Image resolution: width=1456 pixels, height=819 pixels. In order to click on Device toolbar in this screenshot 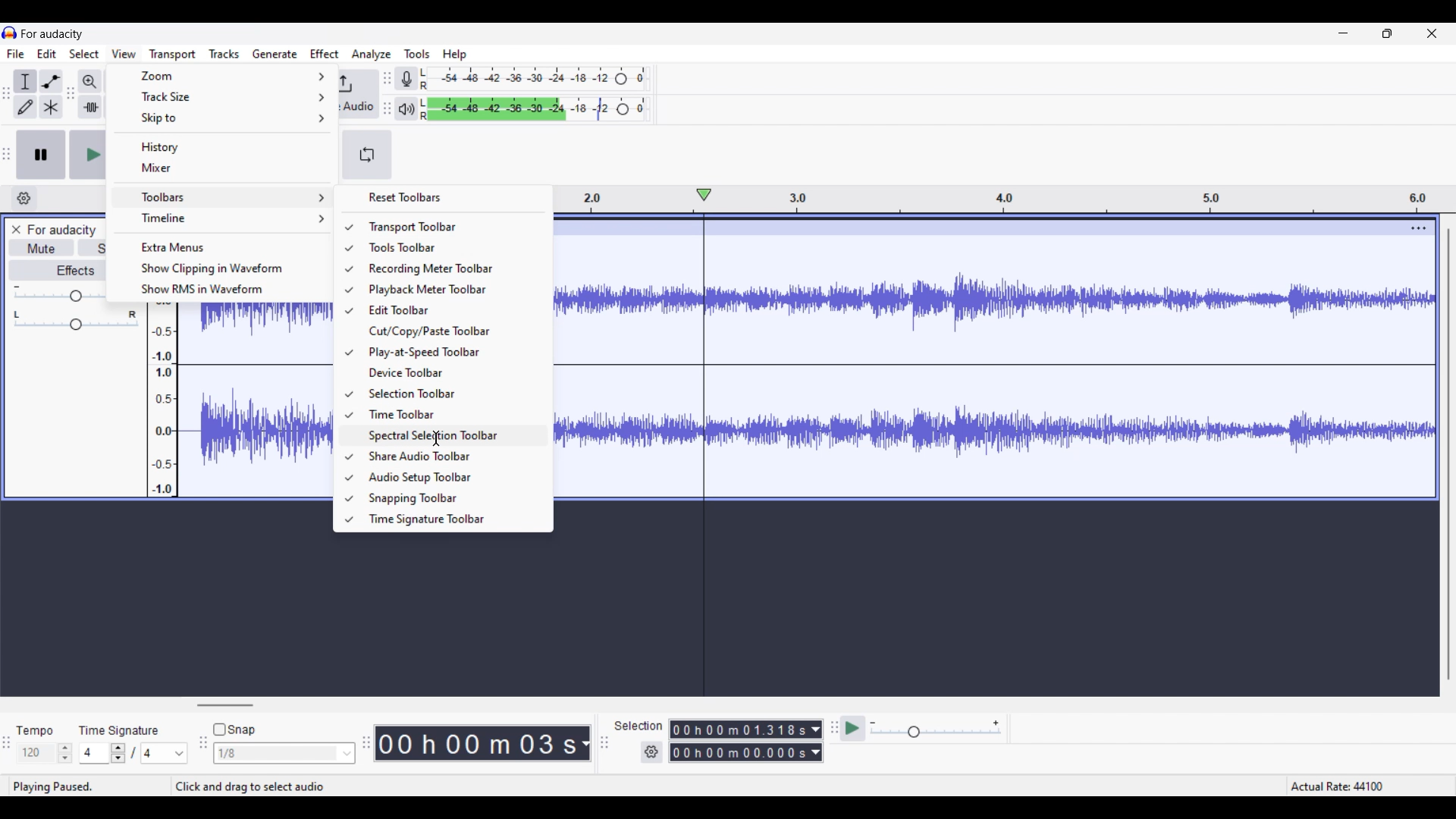, I will do `click(449, 372)`.